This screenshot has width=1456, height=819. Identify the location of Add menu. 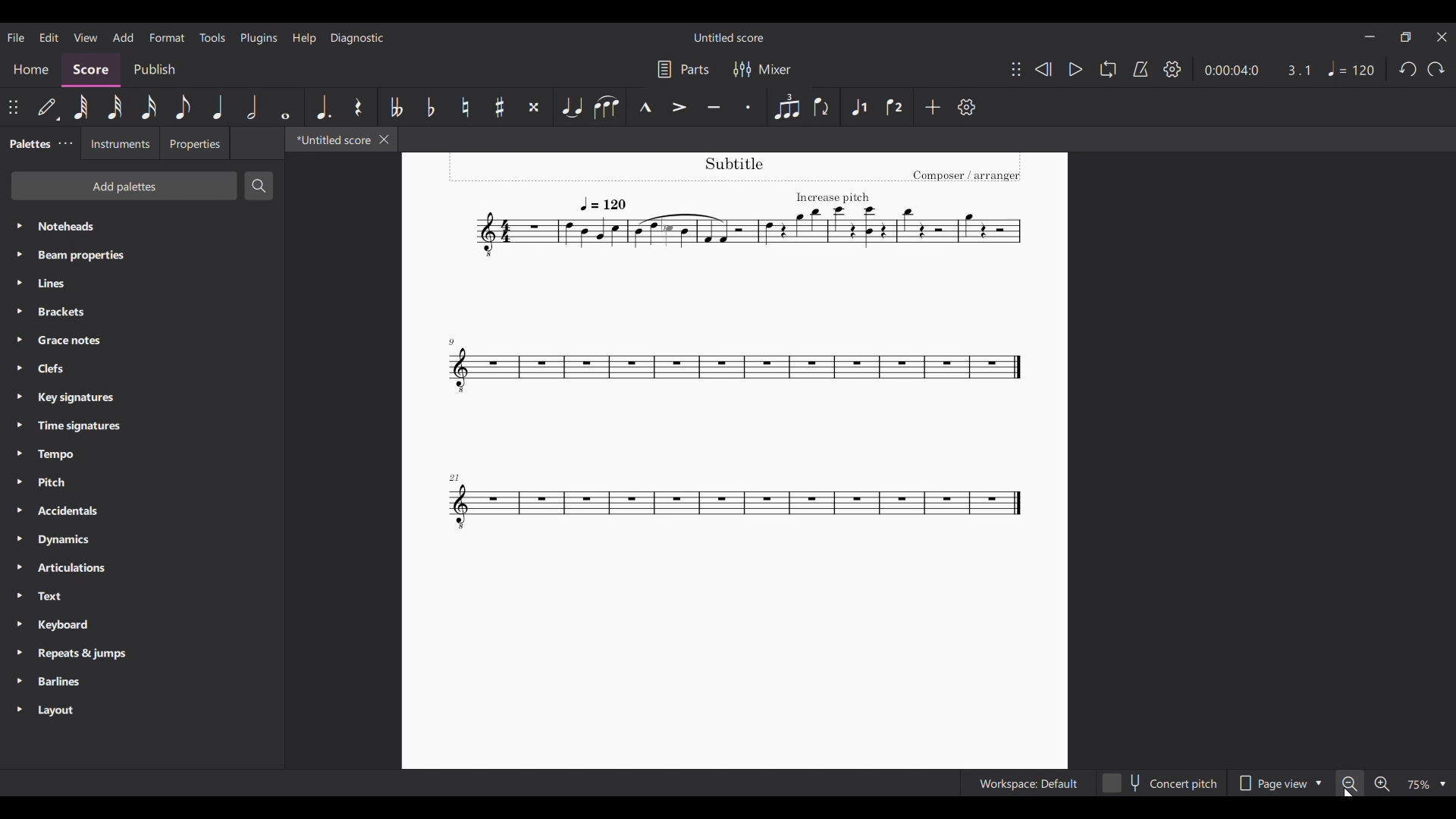
(123, 37).